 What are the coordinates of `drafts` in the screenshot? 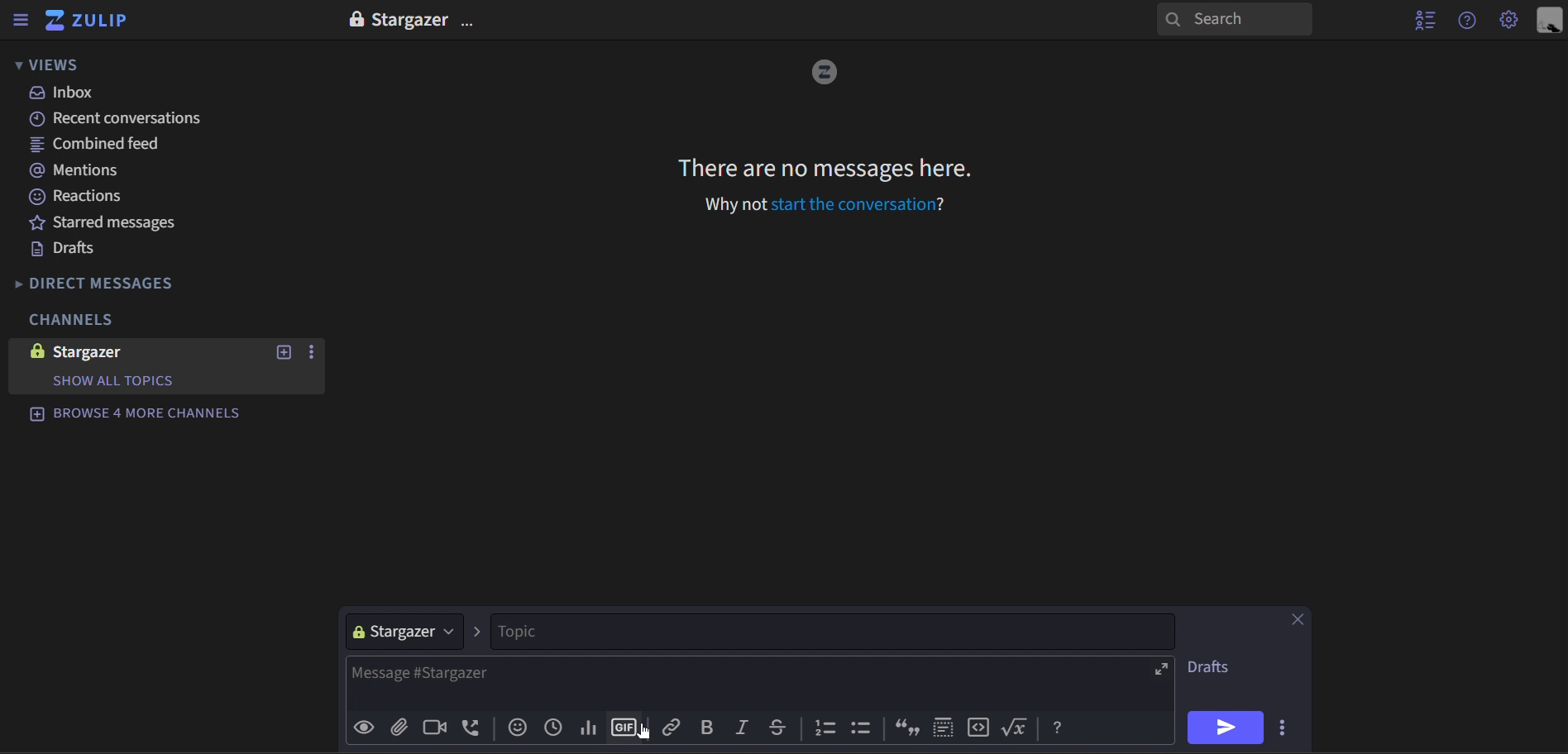 It's located at (1212, 666).